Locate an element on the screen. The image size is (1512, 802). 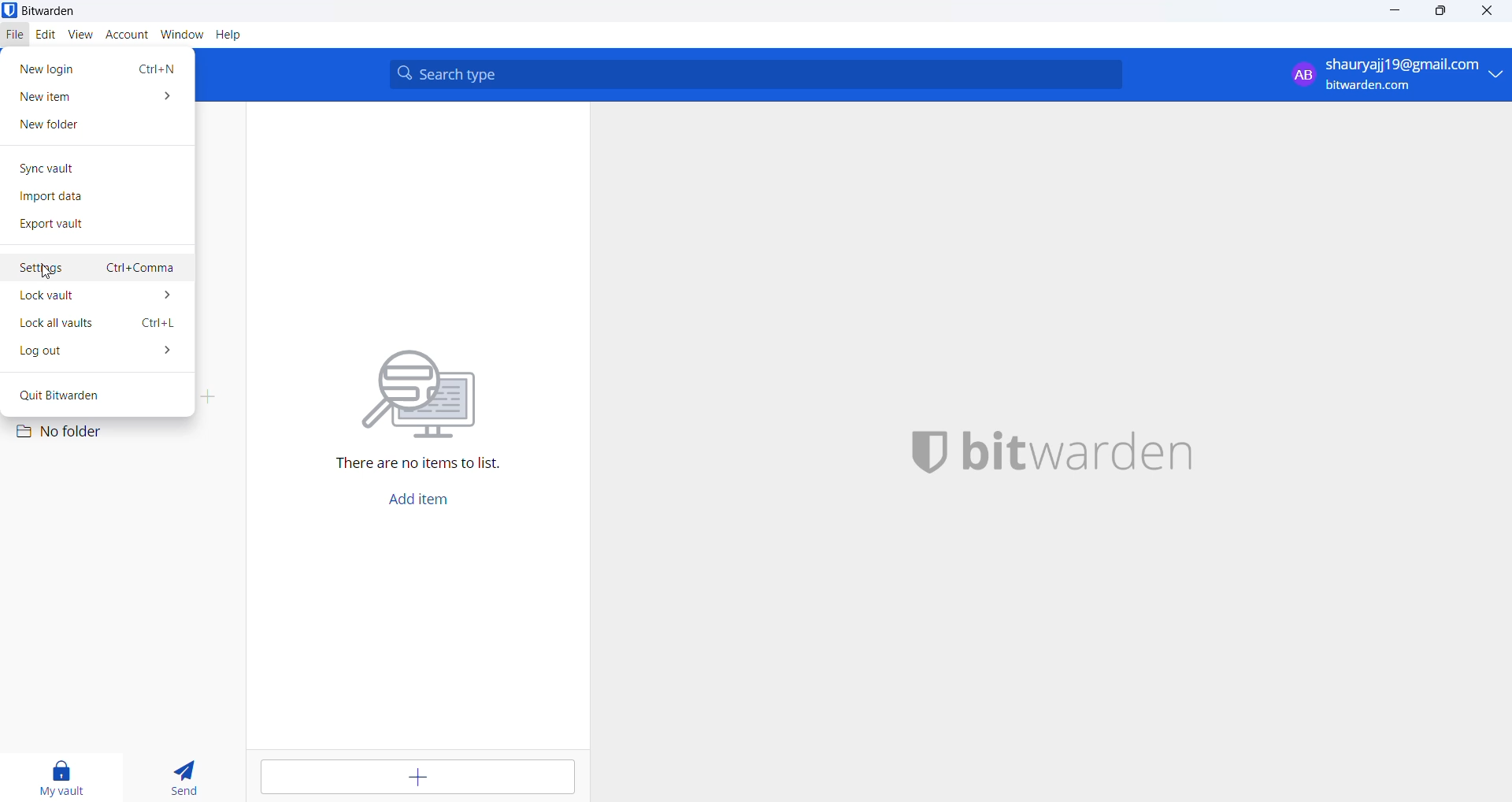
new login is located at coordinates (46, 66).